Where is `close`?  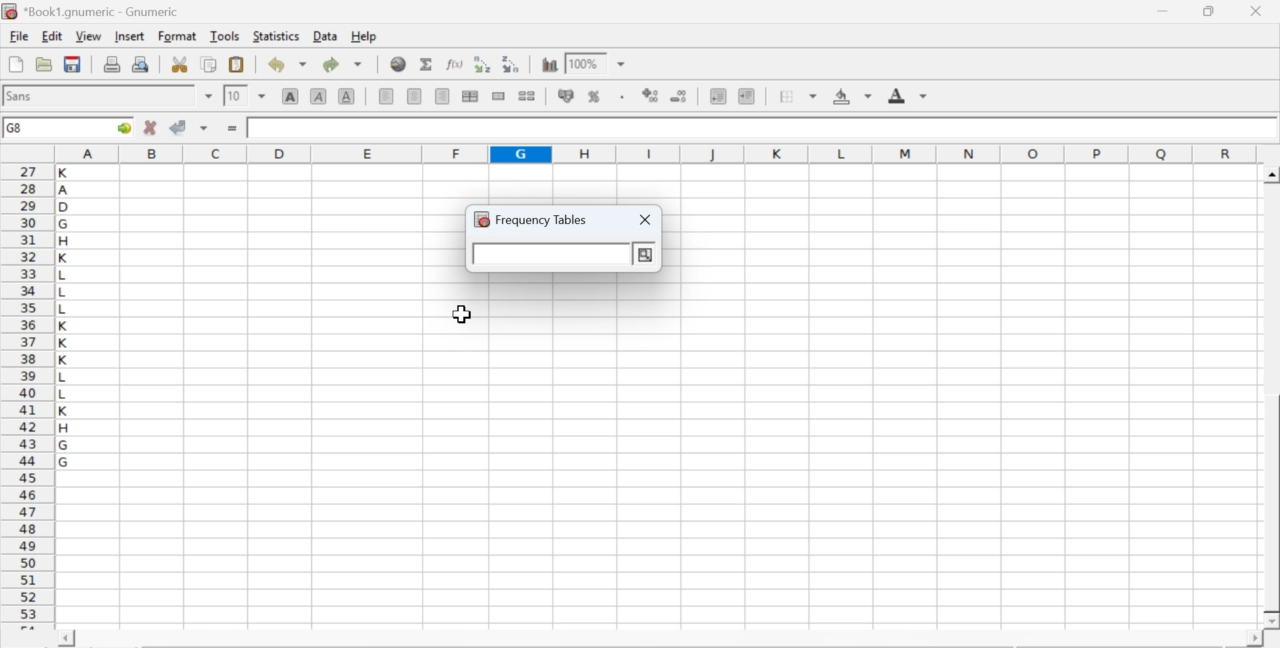 close is located at coordinates (646, 221).